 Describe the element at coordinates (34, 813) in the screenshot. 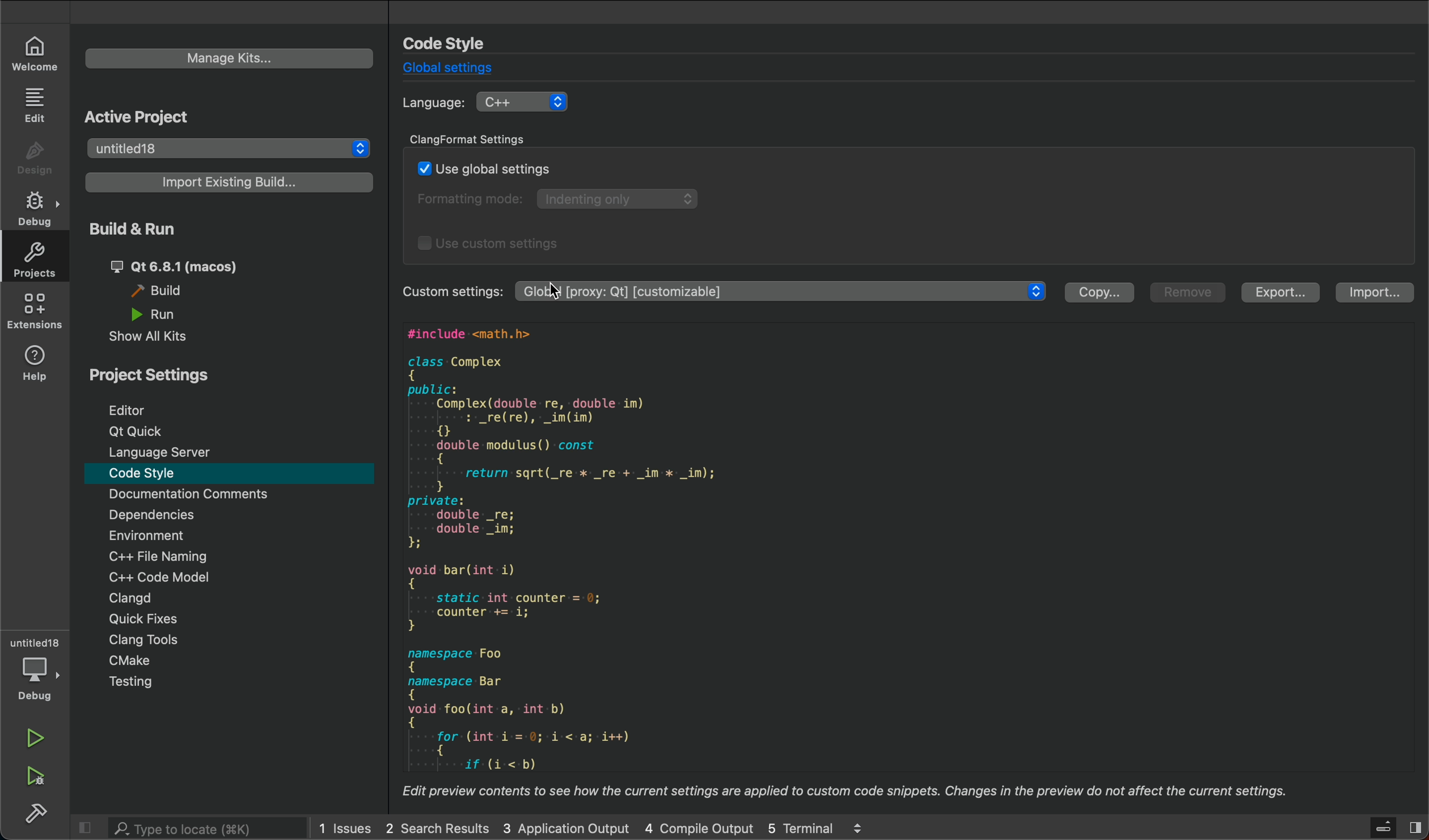

I see `build` at that location.